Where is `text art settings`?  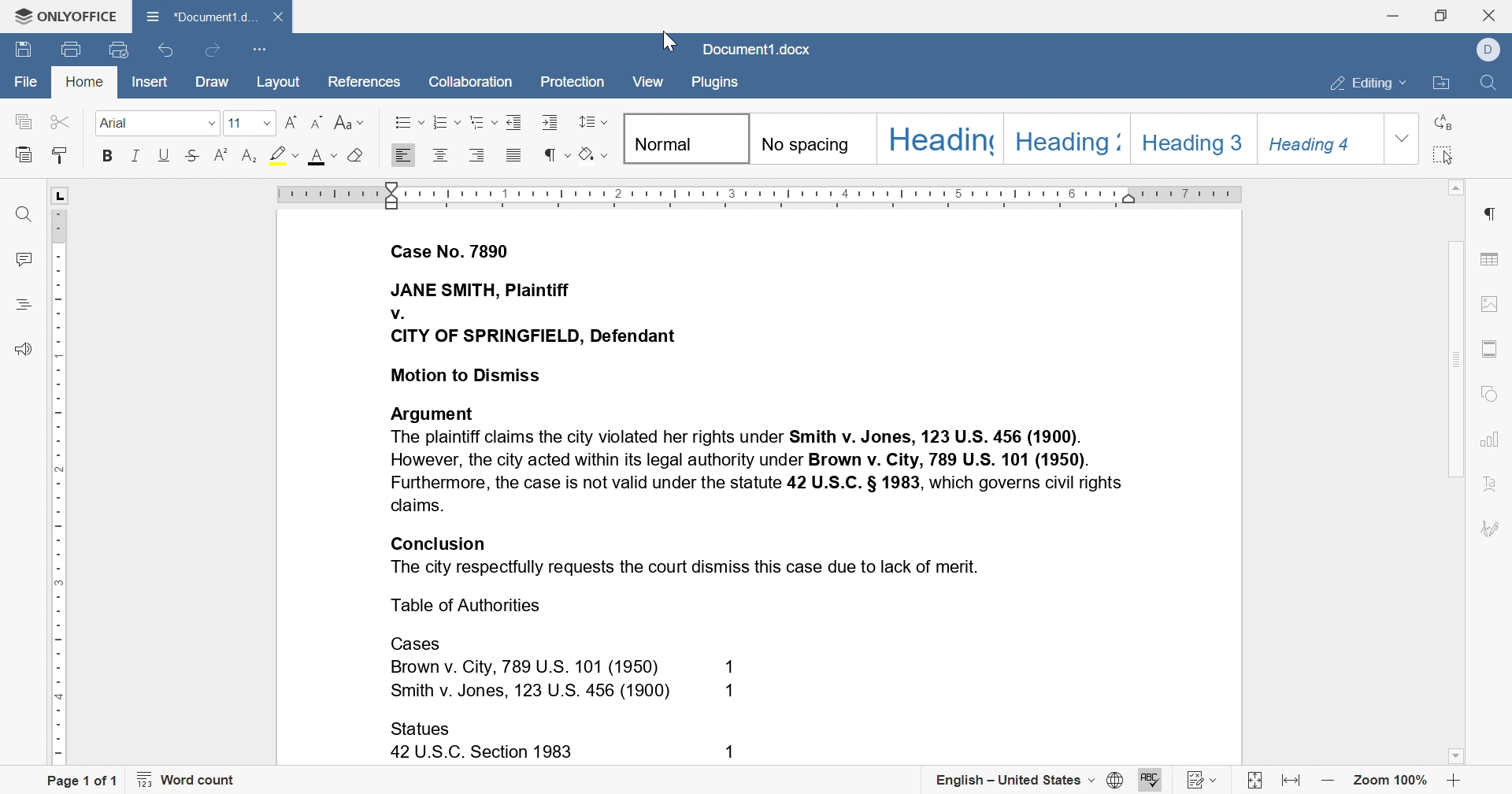
text art settings is located at coordinates (1489, 484).